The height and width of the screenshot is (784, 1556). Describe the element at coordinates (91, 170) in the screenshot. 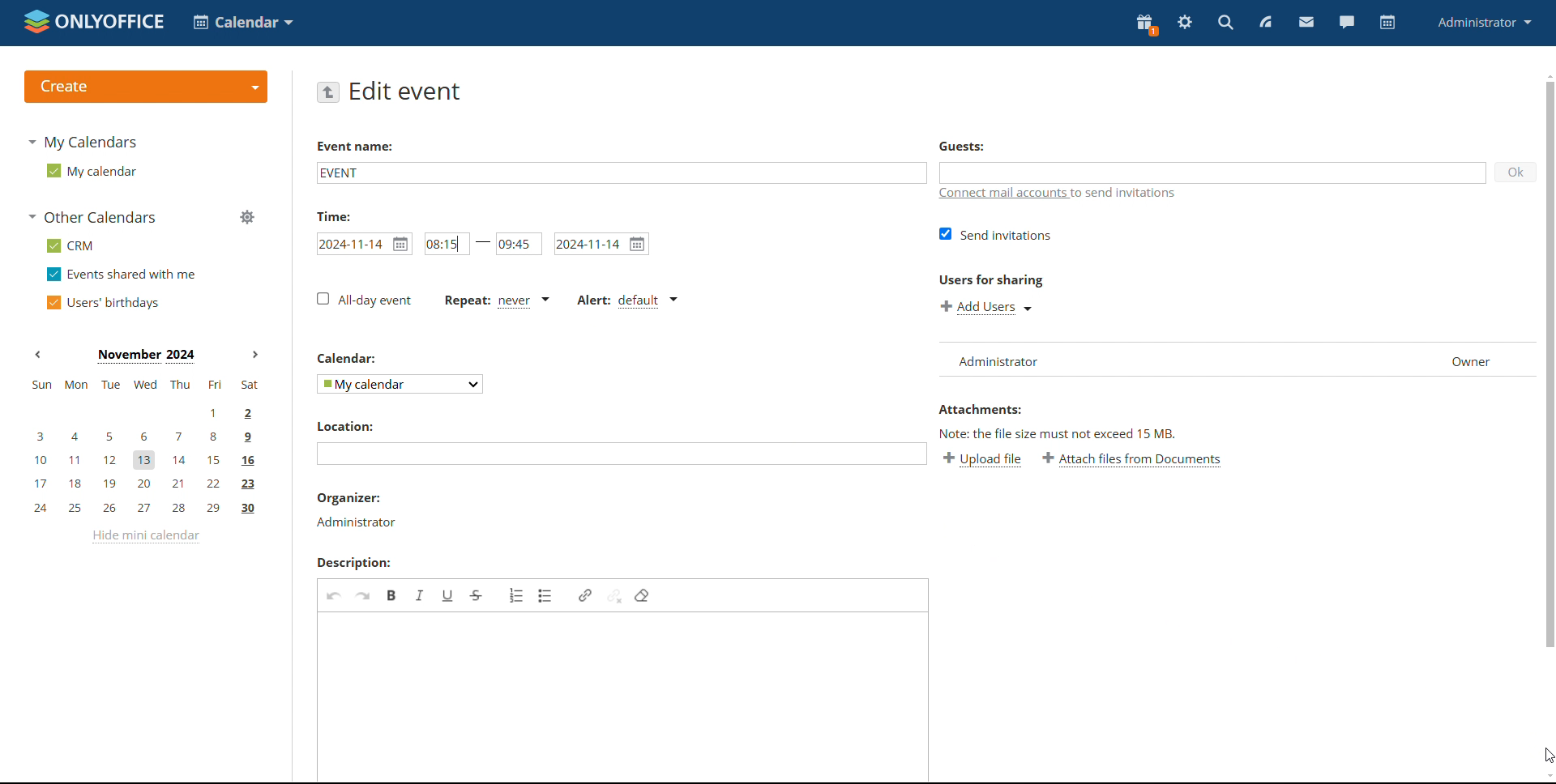

I see `my calendar` at that location.